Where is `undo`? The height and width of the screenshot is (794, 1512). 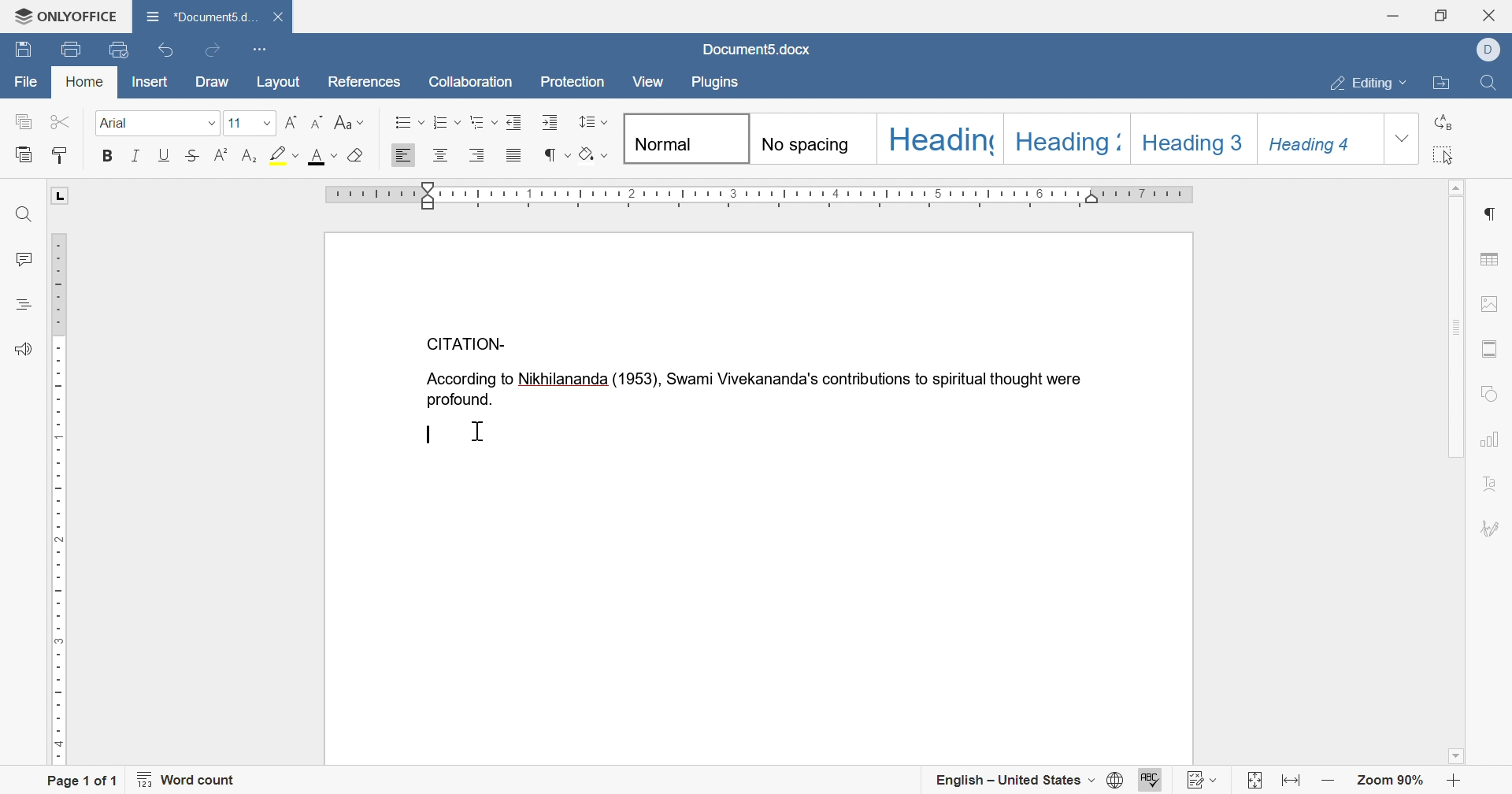 undo is located at coordinates (165, 50).